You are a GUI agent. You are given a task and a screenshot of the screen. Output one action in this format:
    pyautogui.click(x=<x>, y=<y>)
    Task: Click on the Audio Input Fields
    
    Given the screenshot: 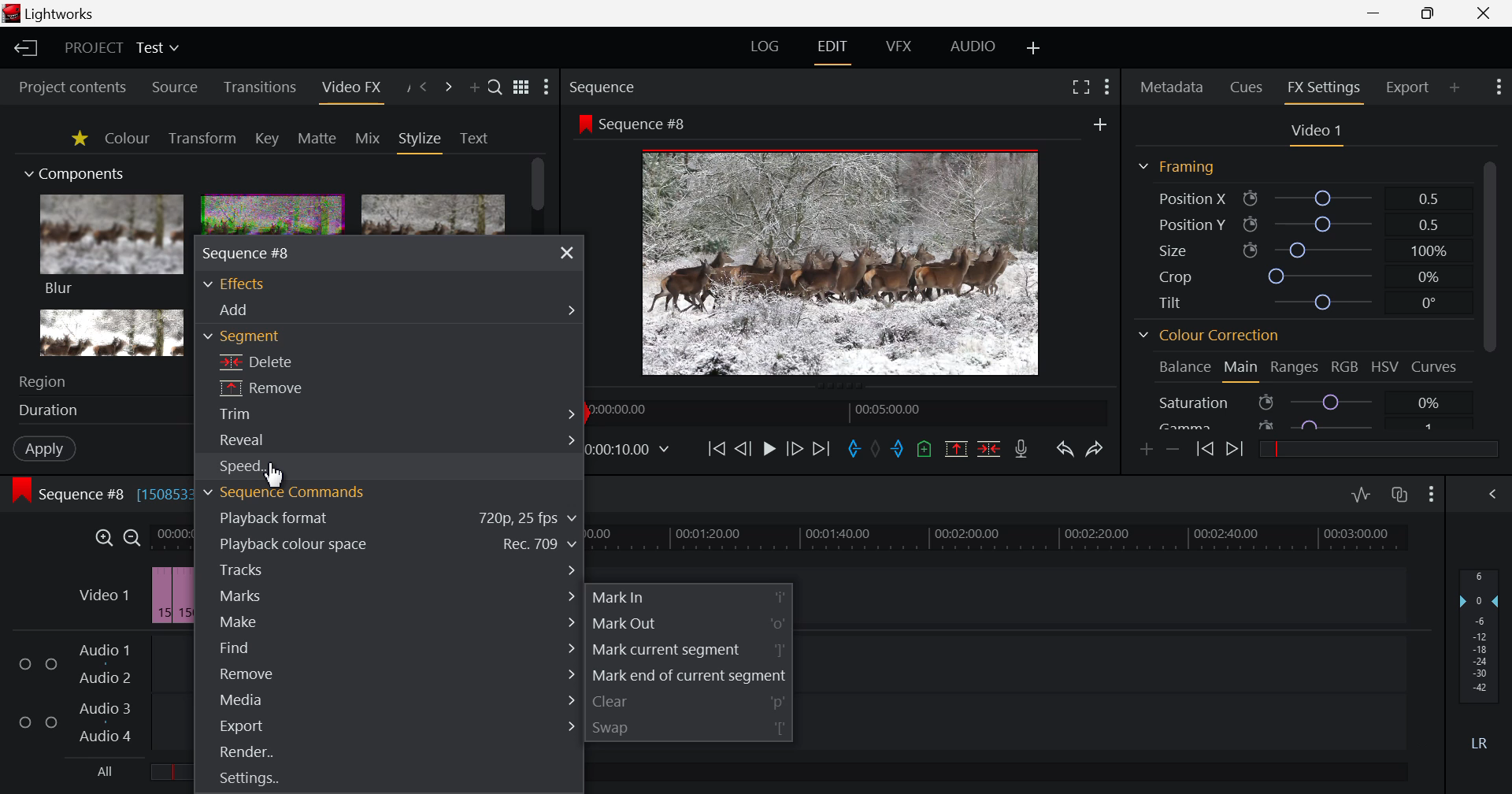 What is the action you would take?
    pyautogui.click(x=703, y=695)
    